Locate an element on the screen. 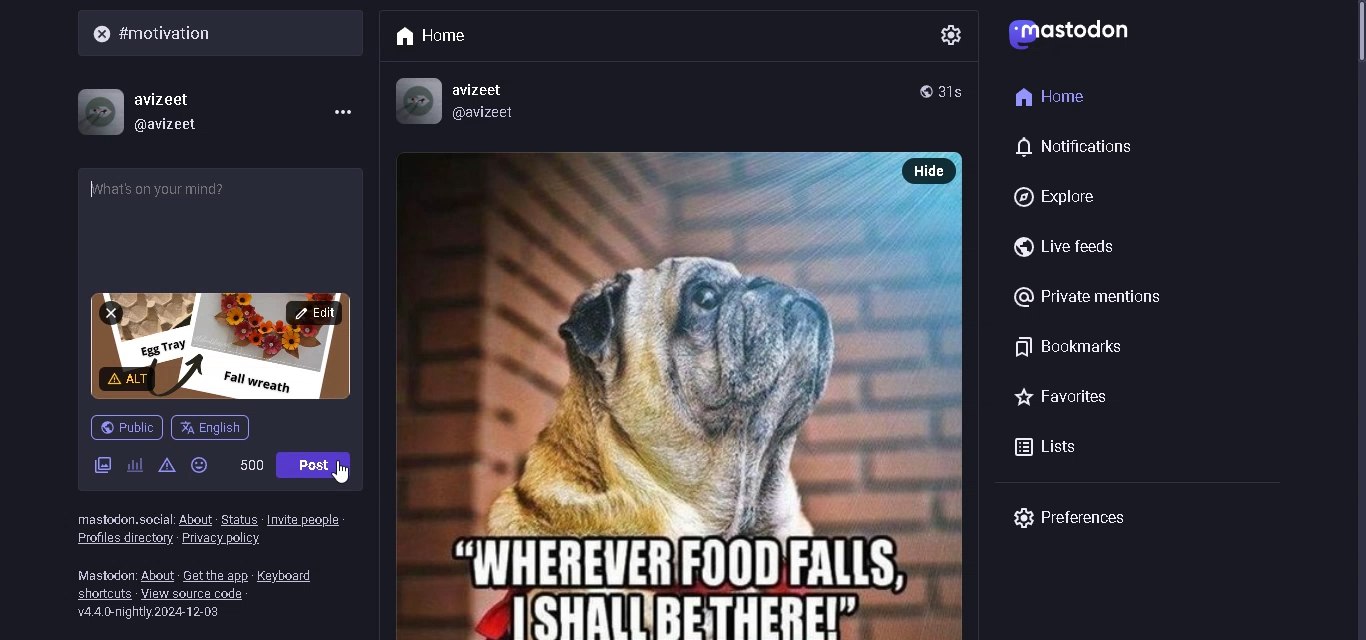 This screenshot has height=640, width=1366. remove picture is located at coordinates (112, 313).